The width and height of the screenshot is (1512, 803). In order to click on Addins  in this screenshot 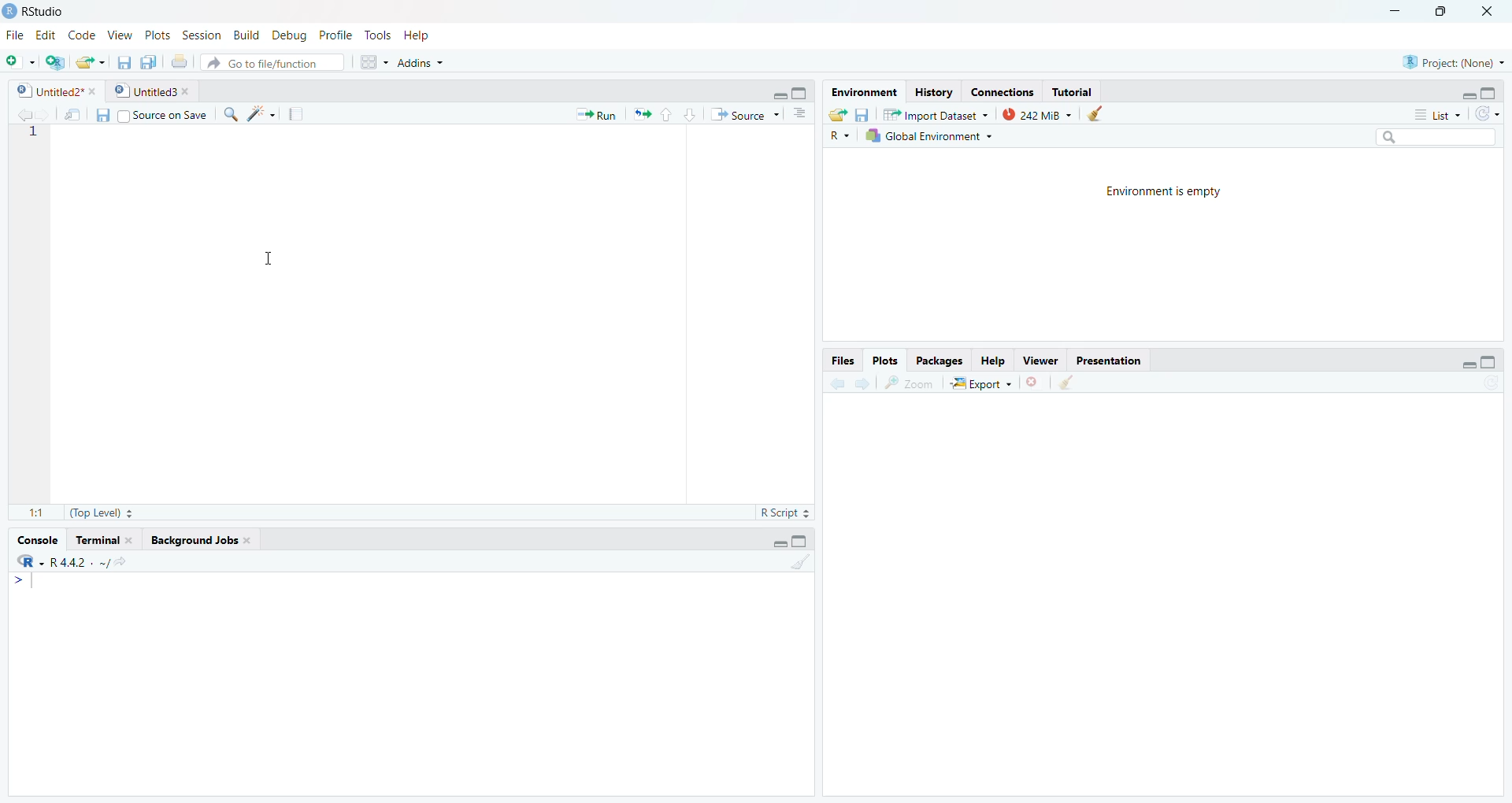, I will do `click(419, 61)`.